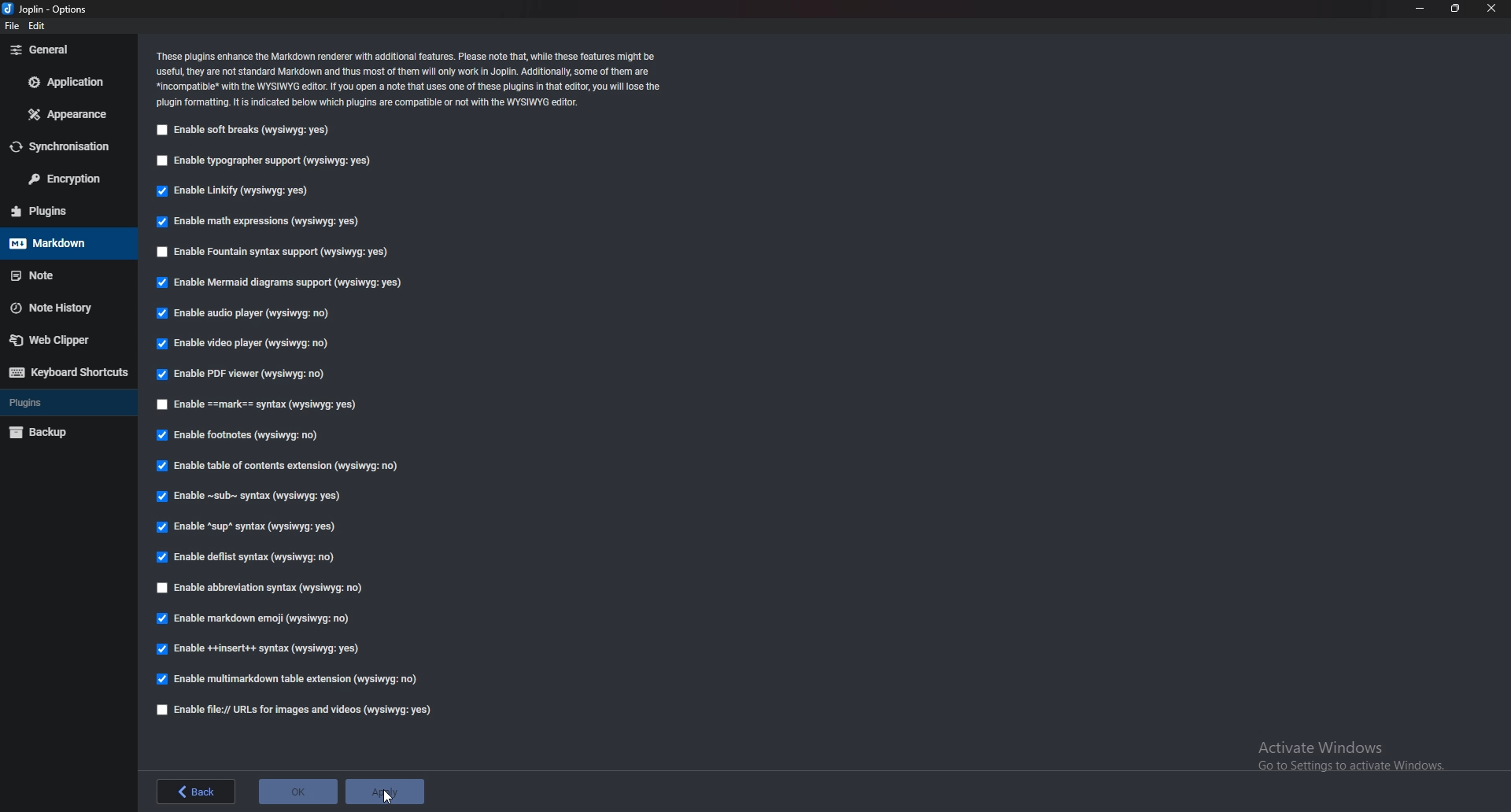 The width and height of the screenshot is (1511, 812). I want to click on enable multi markdown table extension, so click(290, 679).